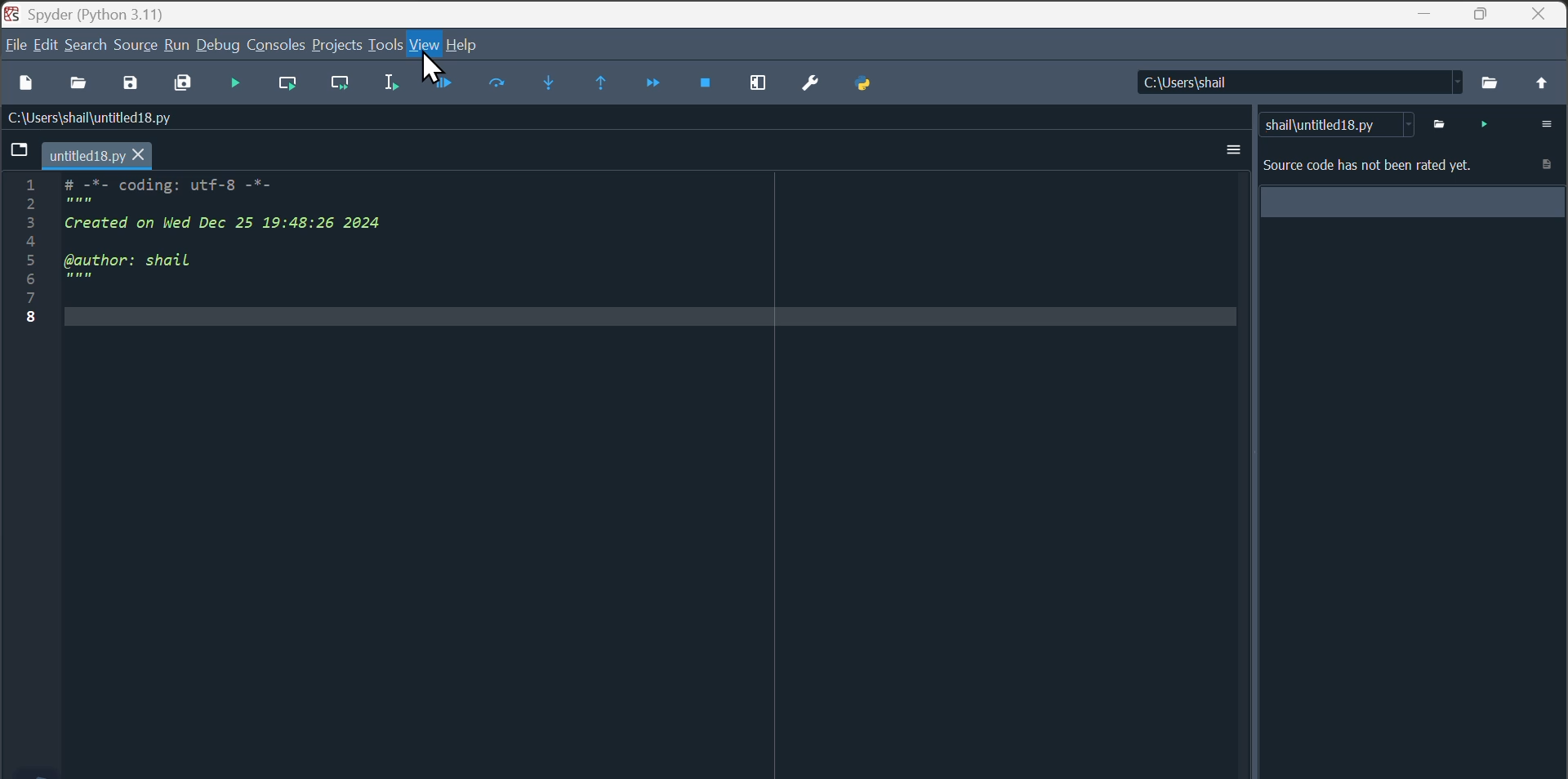  I want to click on file browse, so click(1443, 123).